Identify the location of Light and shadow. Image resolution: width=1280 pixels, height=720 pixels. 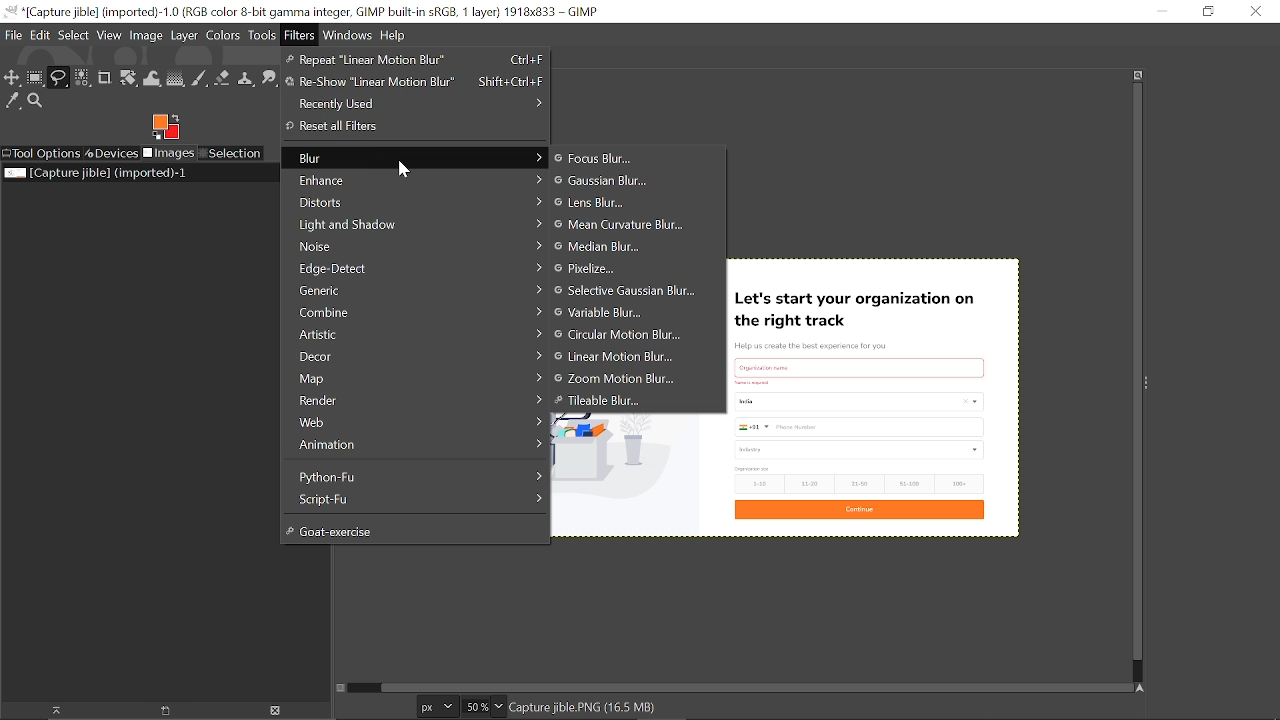
(414, 226).